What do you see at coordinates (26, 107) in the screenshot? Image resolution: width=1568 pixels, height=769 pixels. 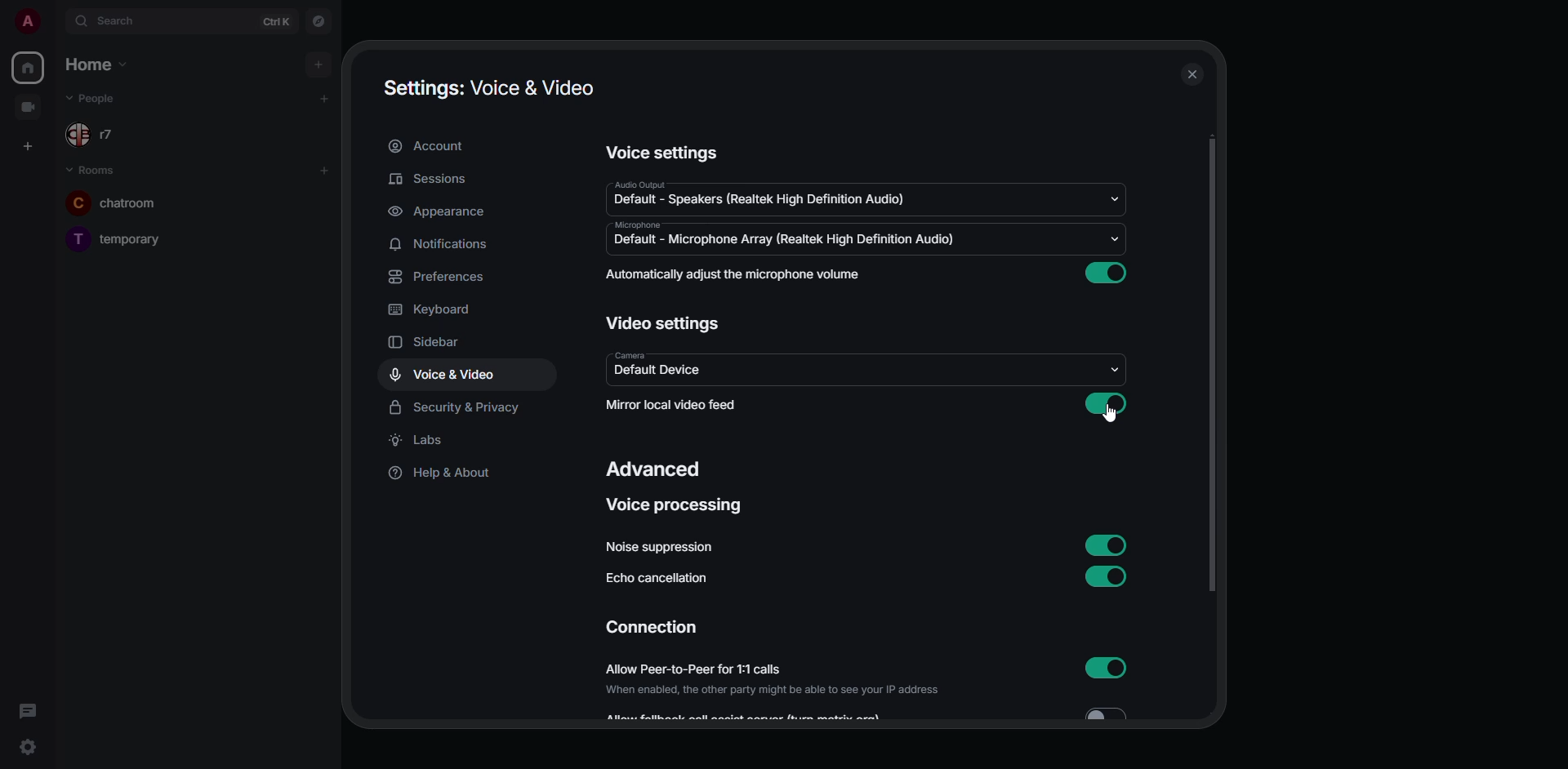 I see `video room` at bounding box center [26, 107].